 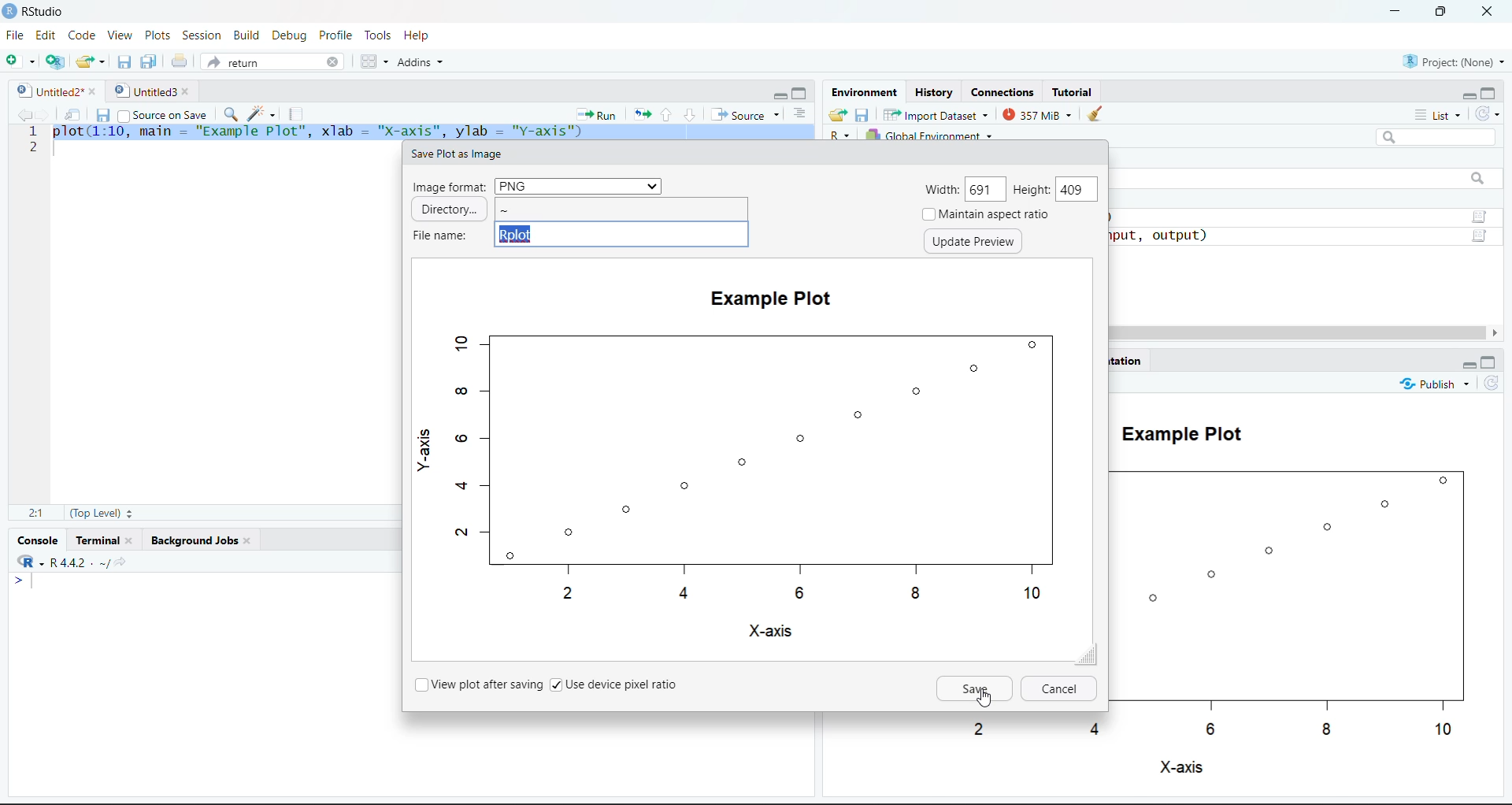 I want to click on Maximize/Restore, so click(x=1443, y=13).